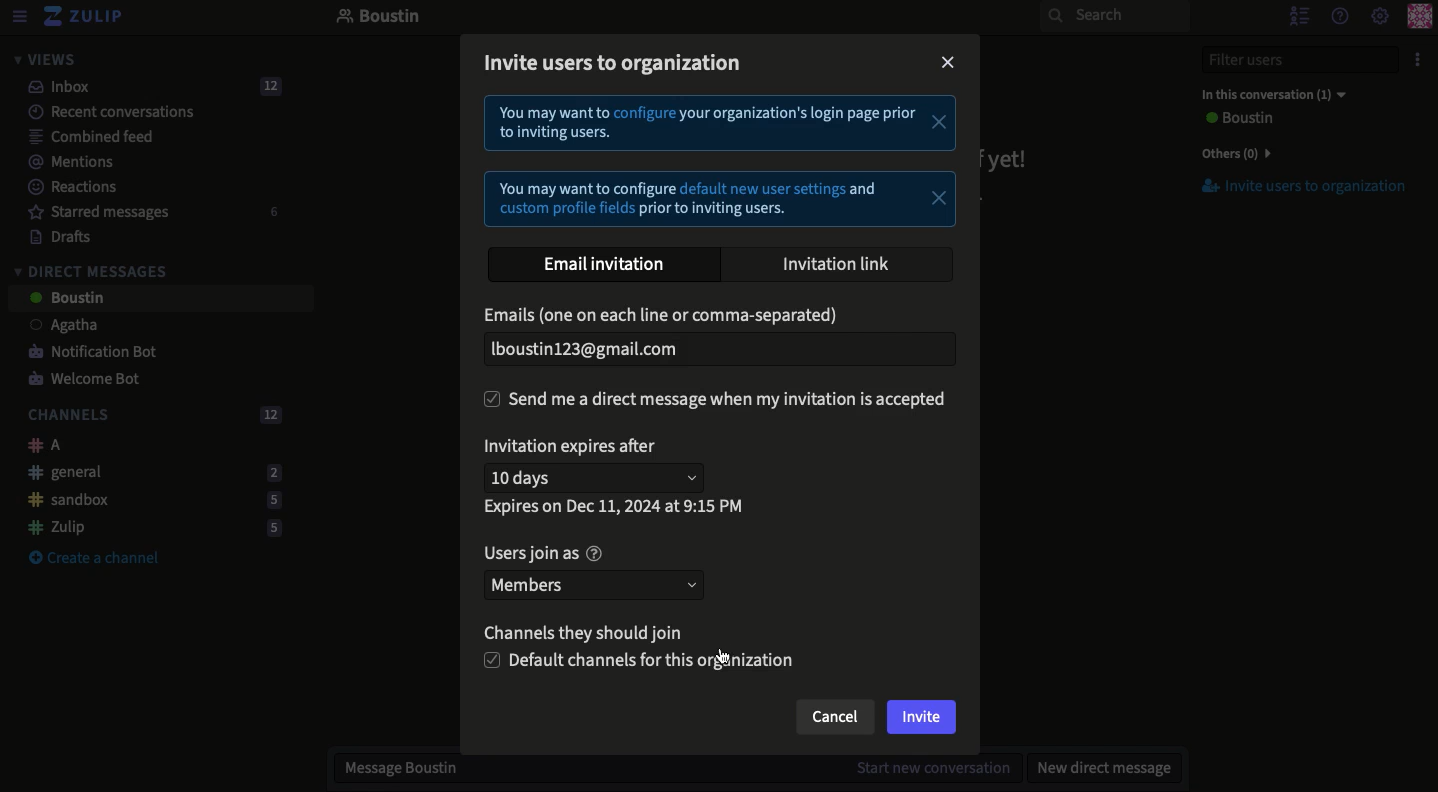  Describe the element at coordinates (85, 17) in the screenshot. I see `Zulip` at that location.